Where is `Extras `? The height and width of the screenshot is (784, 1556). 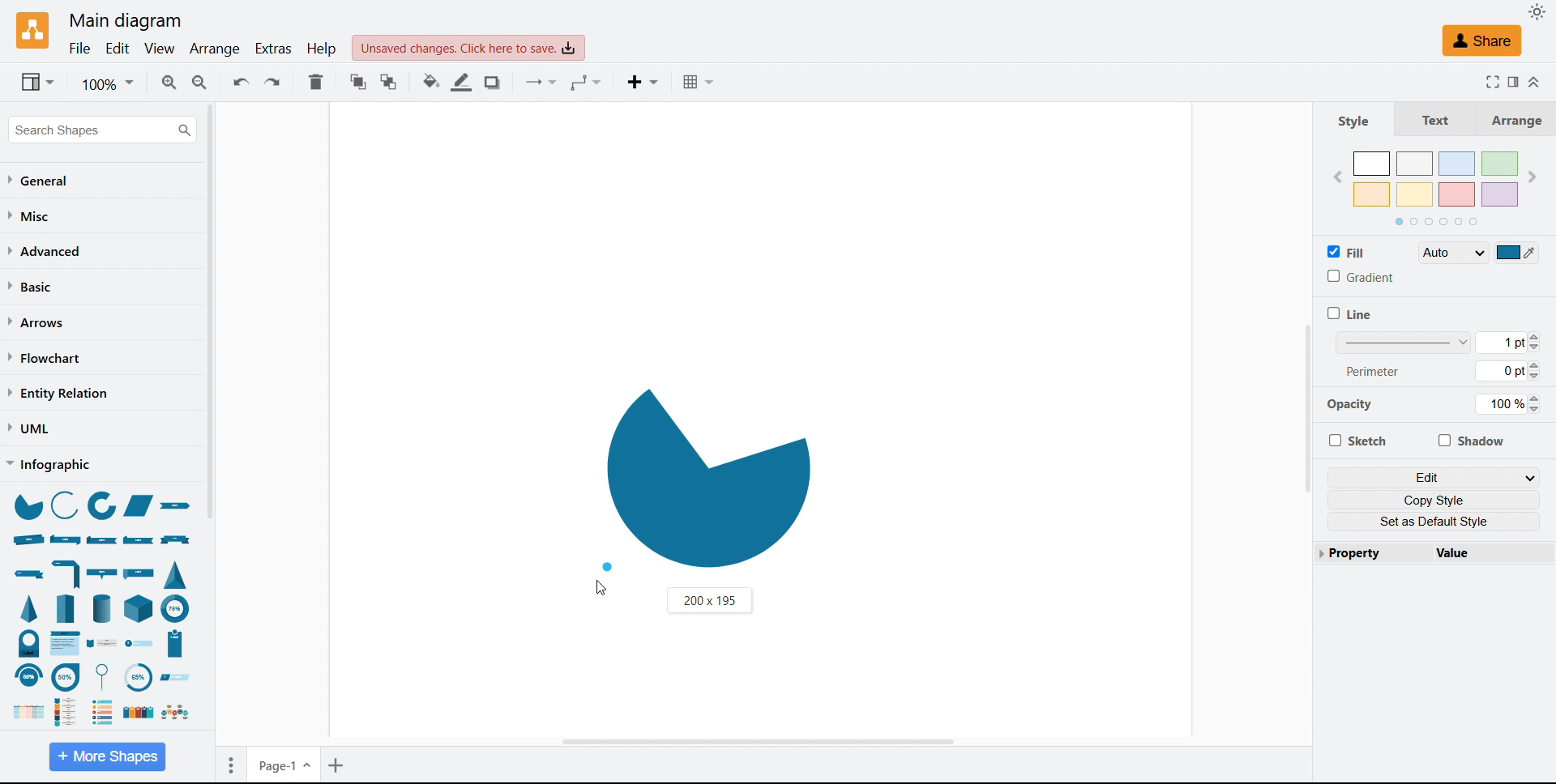
Extras  is located at coordinates (275, 49).